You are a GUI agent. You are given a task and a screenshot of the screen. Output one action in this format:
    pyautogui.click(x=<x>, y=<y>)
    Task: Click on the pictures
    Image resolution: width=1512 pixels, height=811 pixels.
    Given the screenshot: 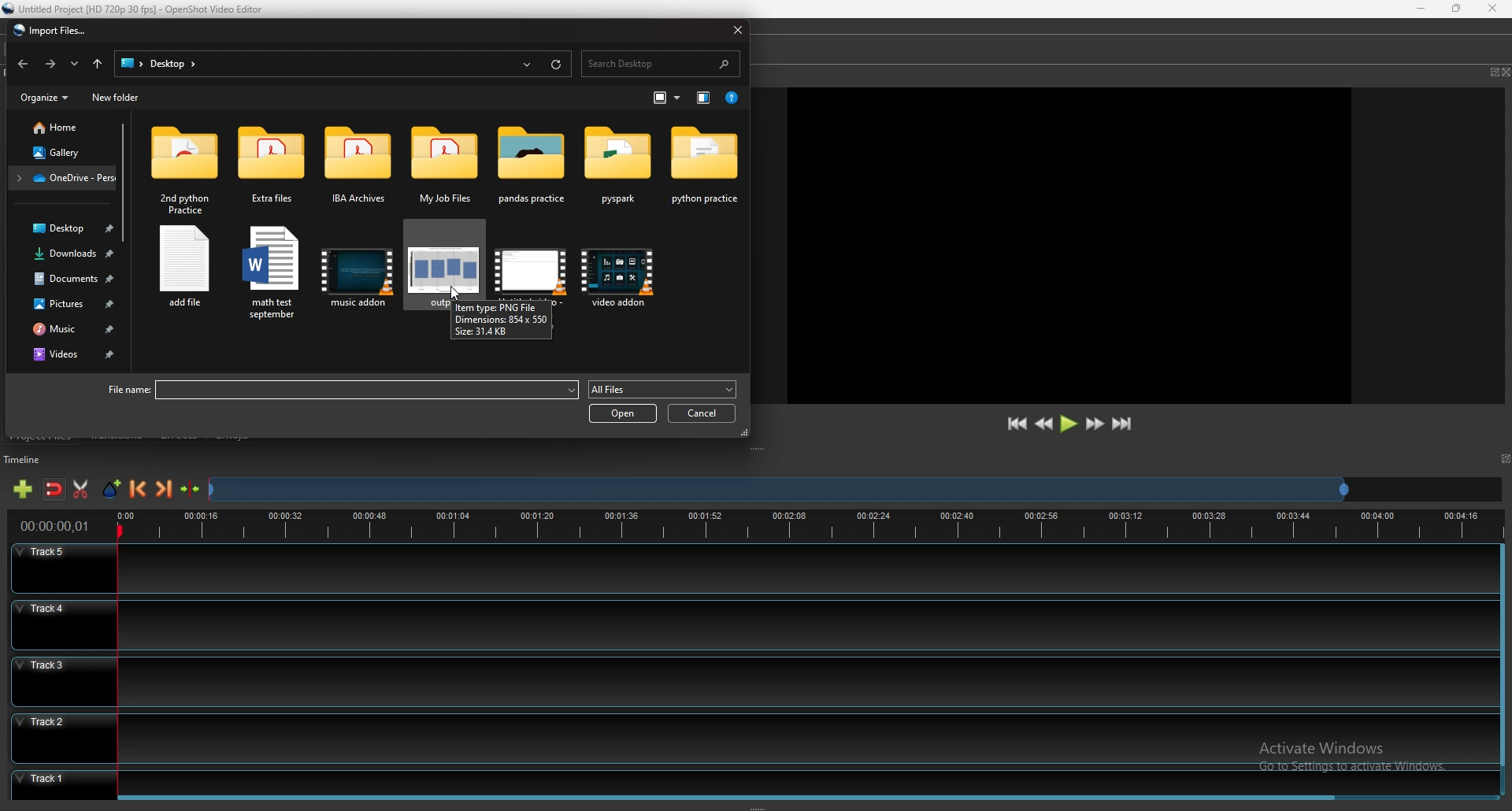 What is the action you would take?
    pyautogui.click(x=68, y=303)
    